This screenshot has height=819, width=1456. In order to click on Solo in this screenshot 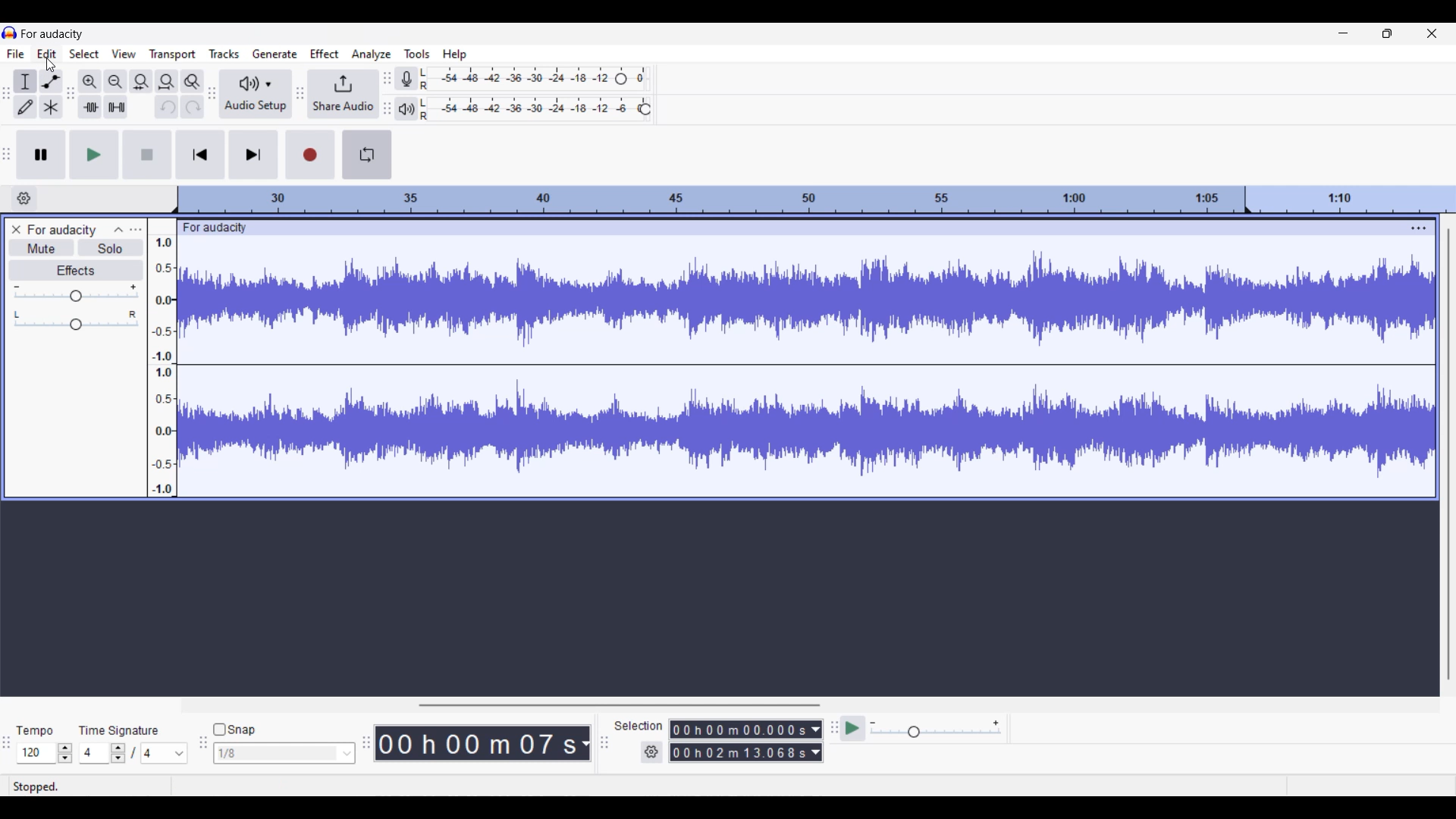, I will do `click(111, 248)`.